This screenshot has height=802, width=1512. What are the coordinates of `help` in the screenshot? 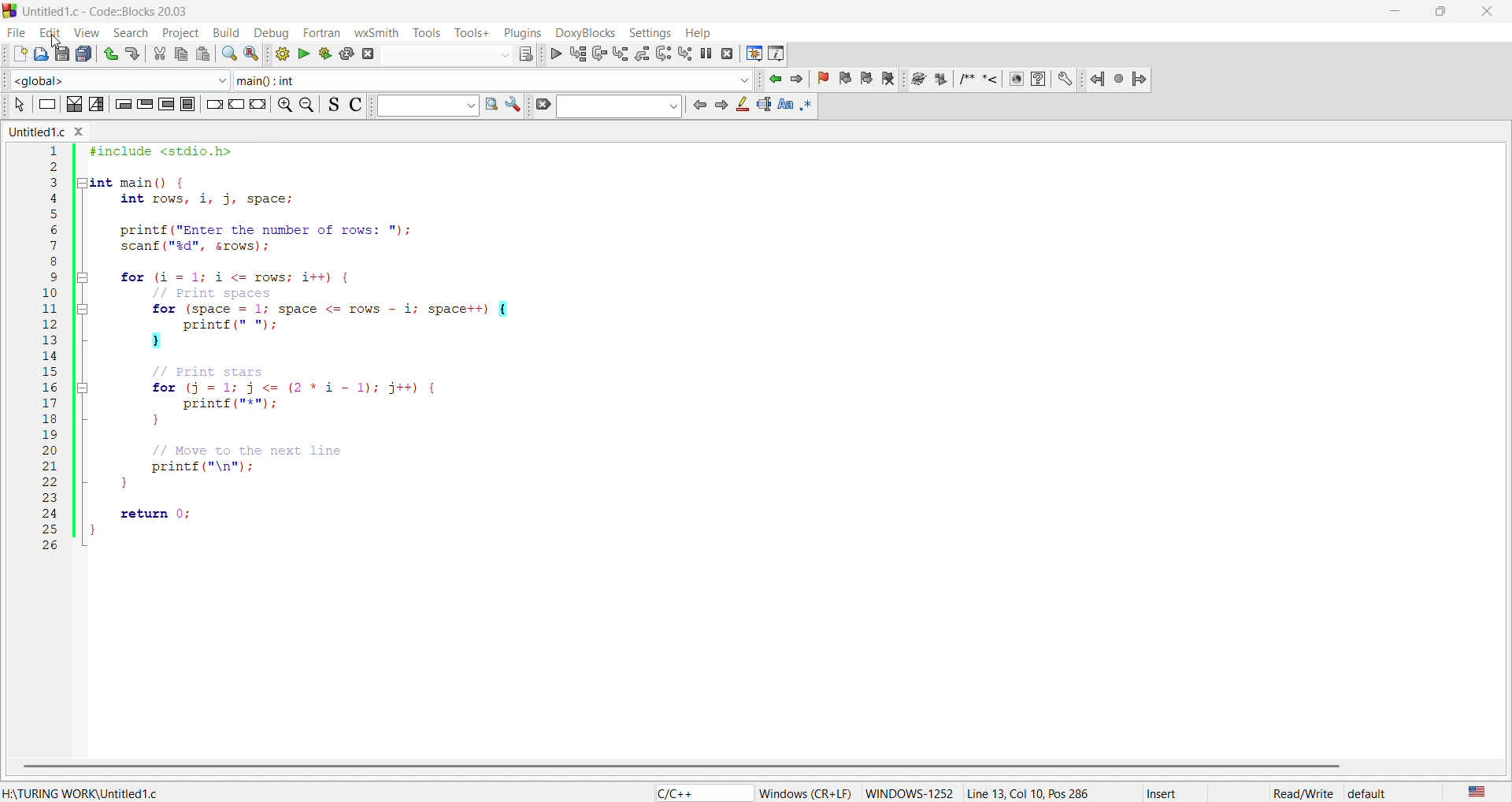 It's located at (1037, 80).